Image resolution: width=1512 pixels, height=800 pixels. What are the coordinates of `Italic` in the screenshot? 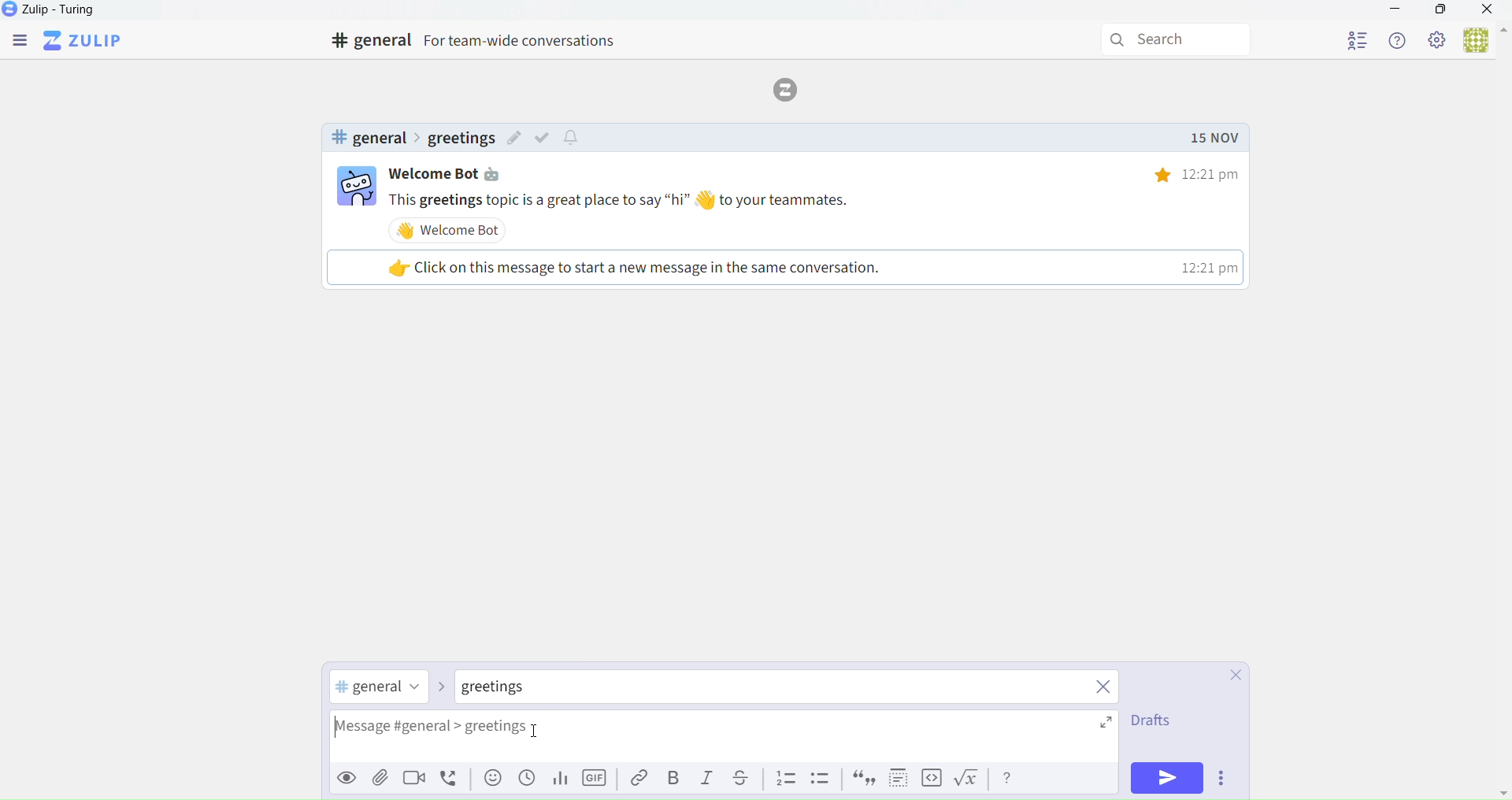 It's located at (708, 781).